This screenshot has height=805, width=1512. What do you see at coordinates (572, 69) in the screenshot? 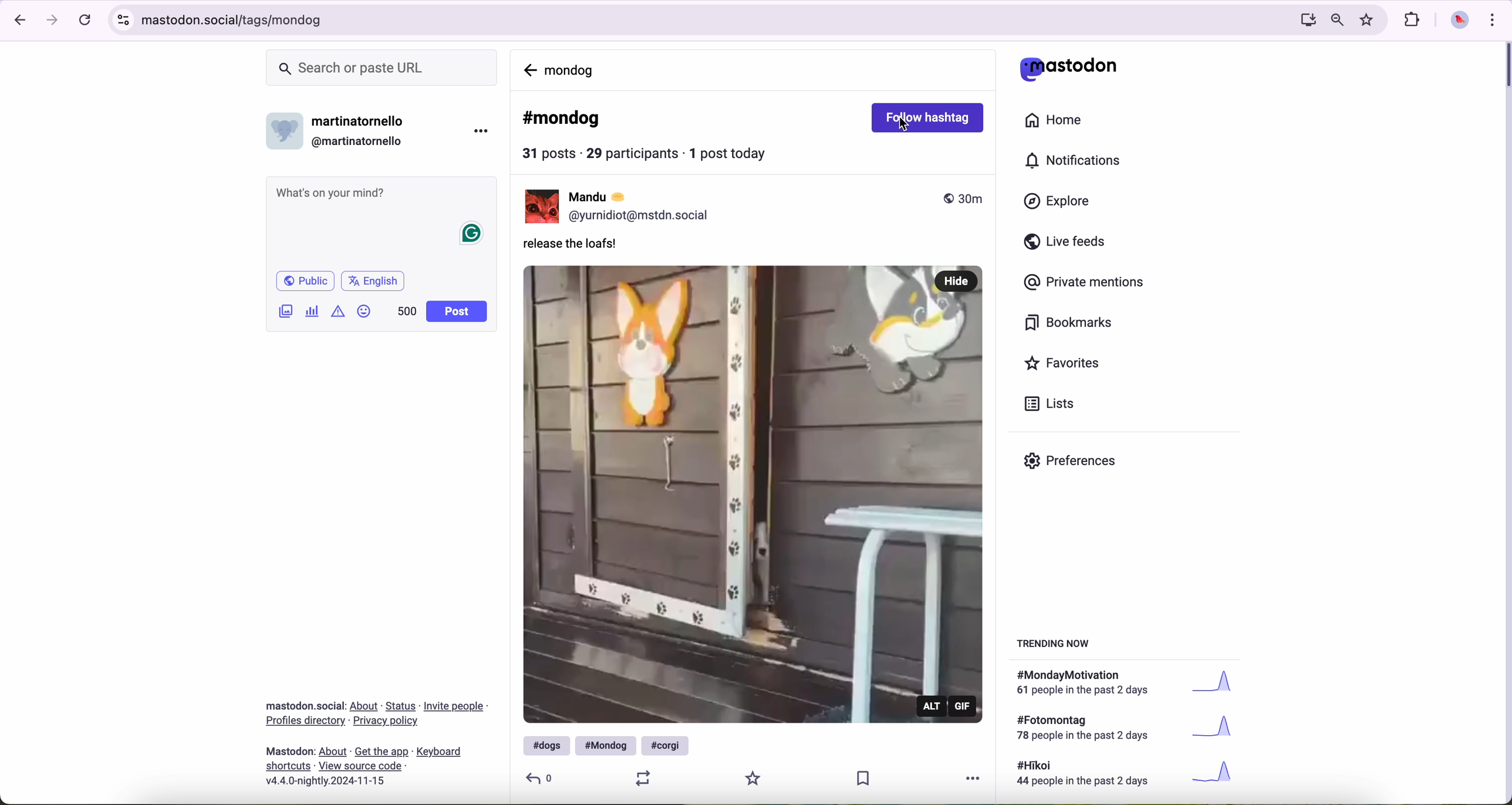
I see `mondog` at bounding box center [572, 69].